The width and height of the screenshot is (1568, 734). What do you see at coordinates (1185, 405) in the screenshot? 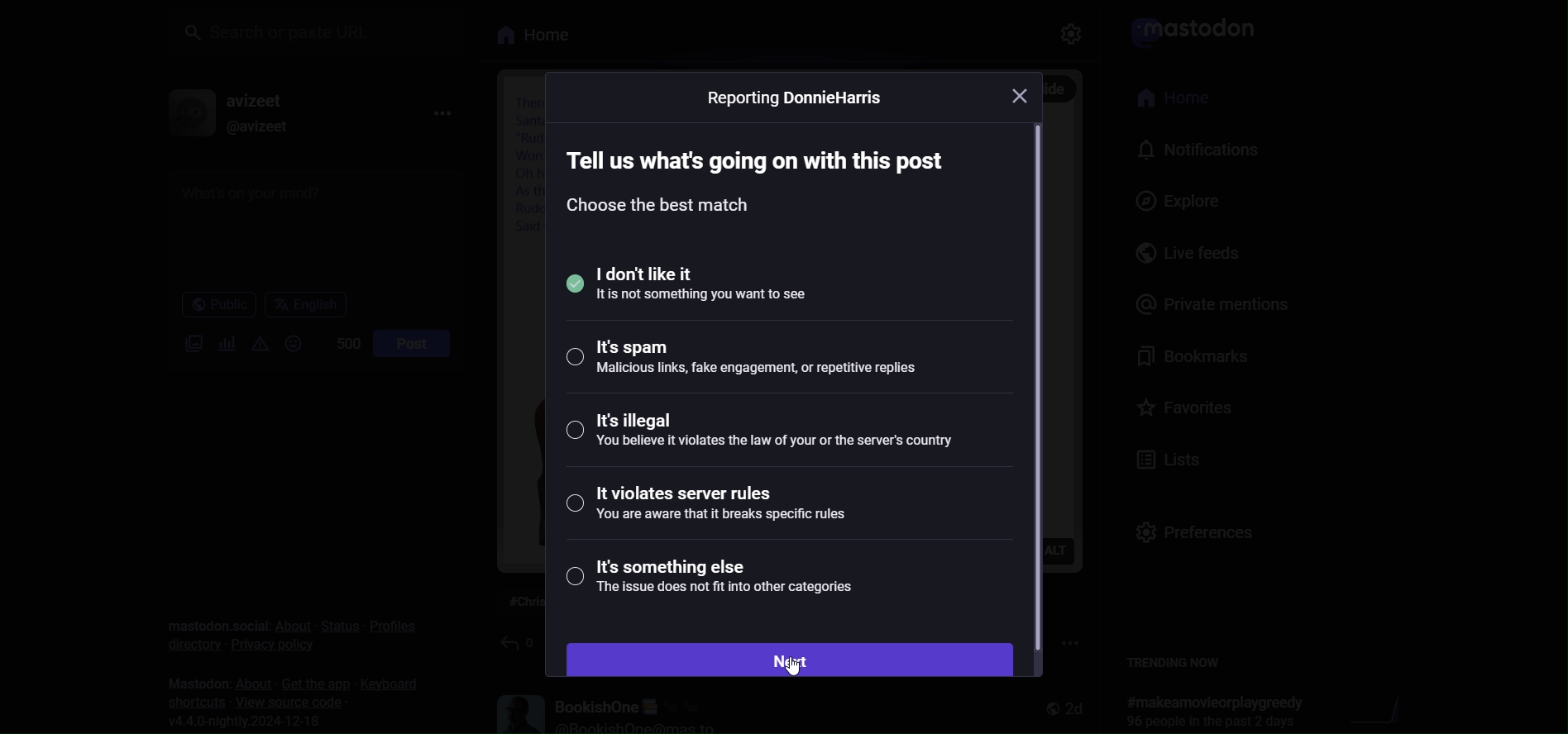
I see `favorites` at bounding box center [1185, 405].